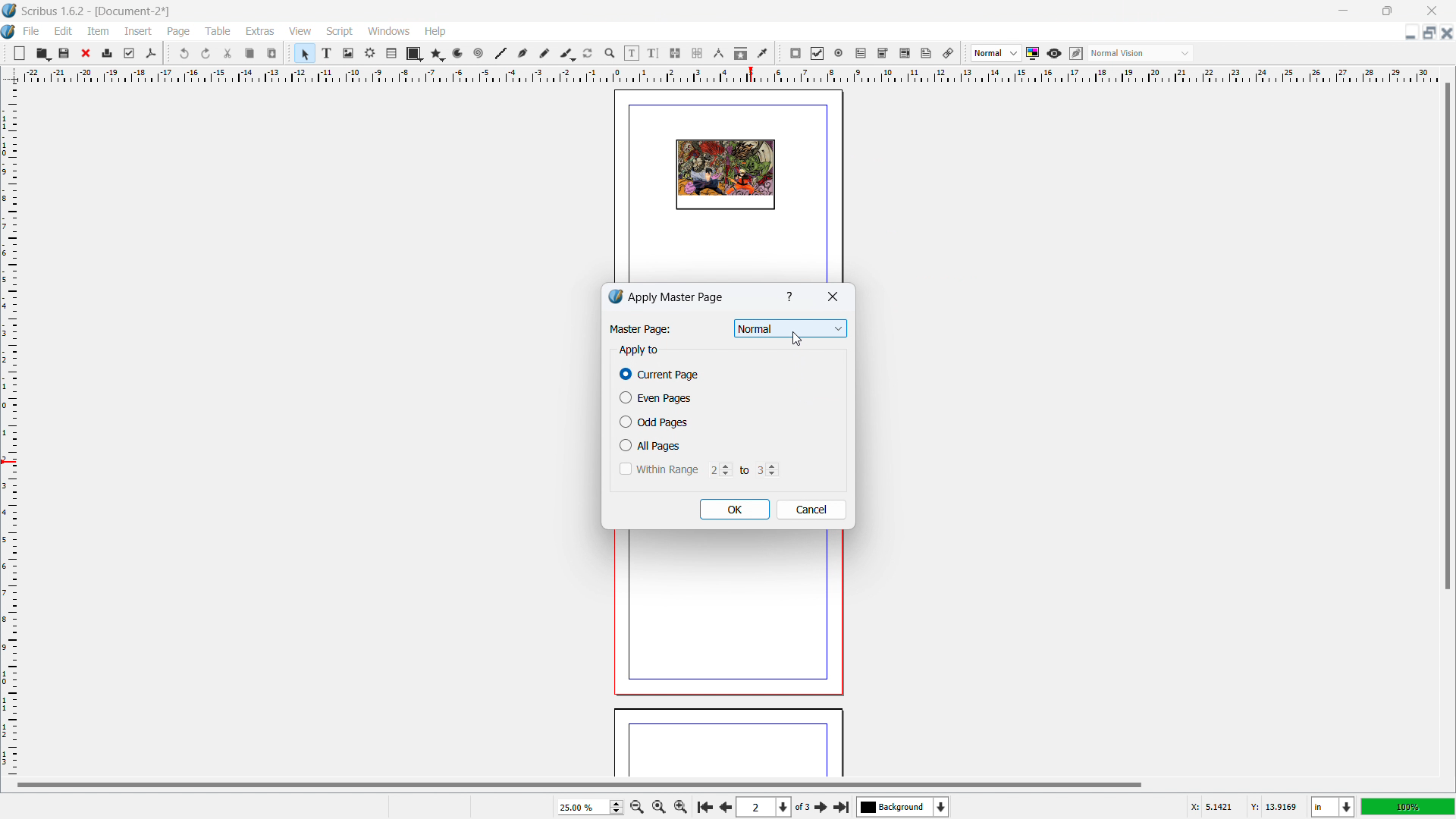 This screenshot has width=1456, height=819. What do you see at coordinates (791, 297) in the screenshot?
I see `help` at bounding box center [791, 297].